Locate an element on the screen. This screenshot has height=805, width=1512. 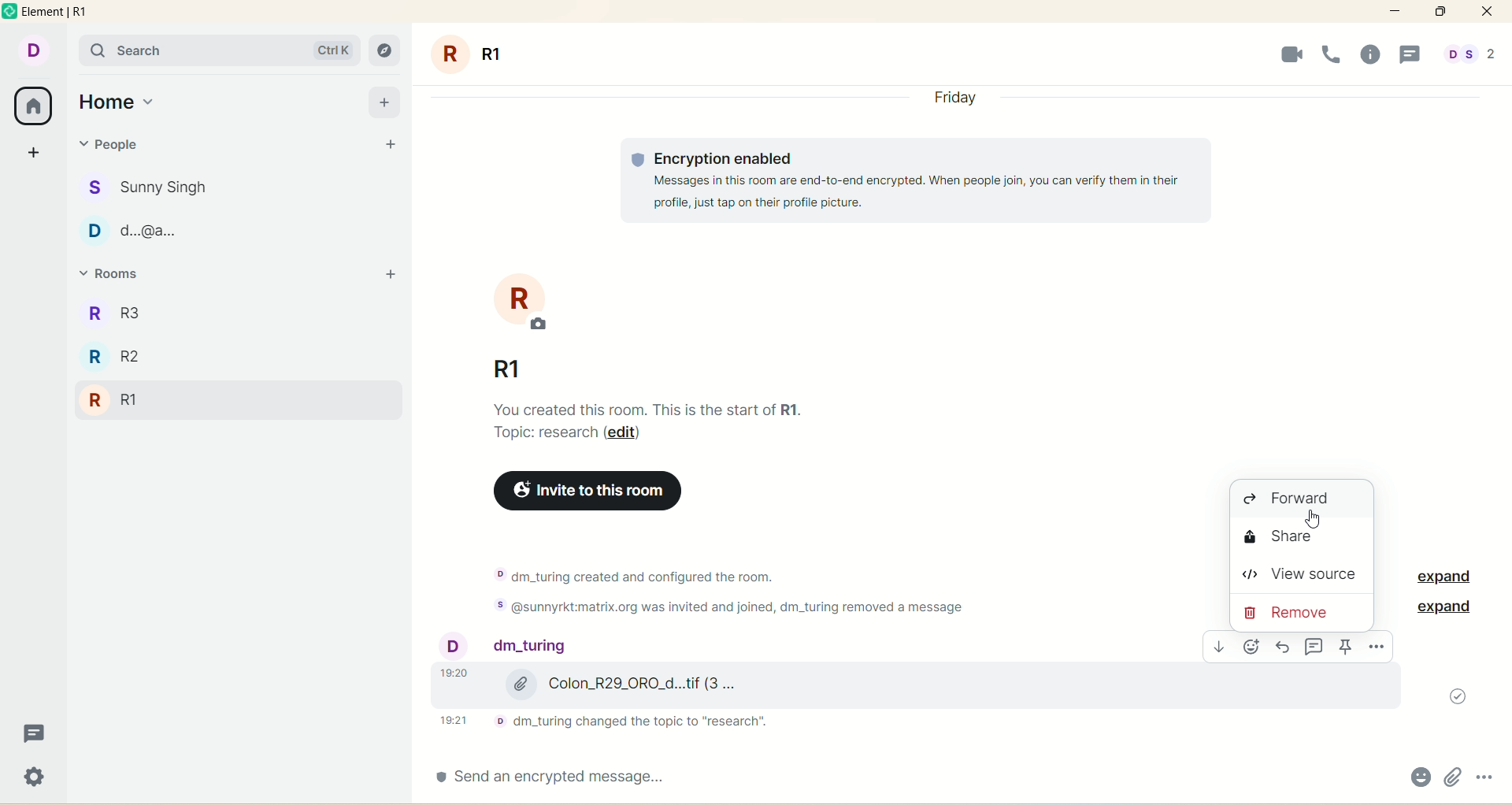
text is located at coordinates (615, 719).